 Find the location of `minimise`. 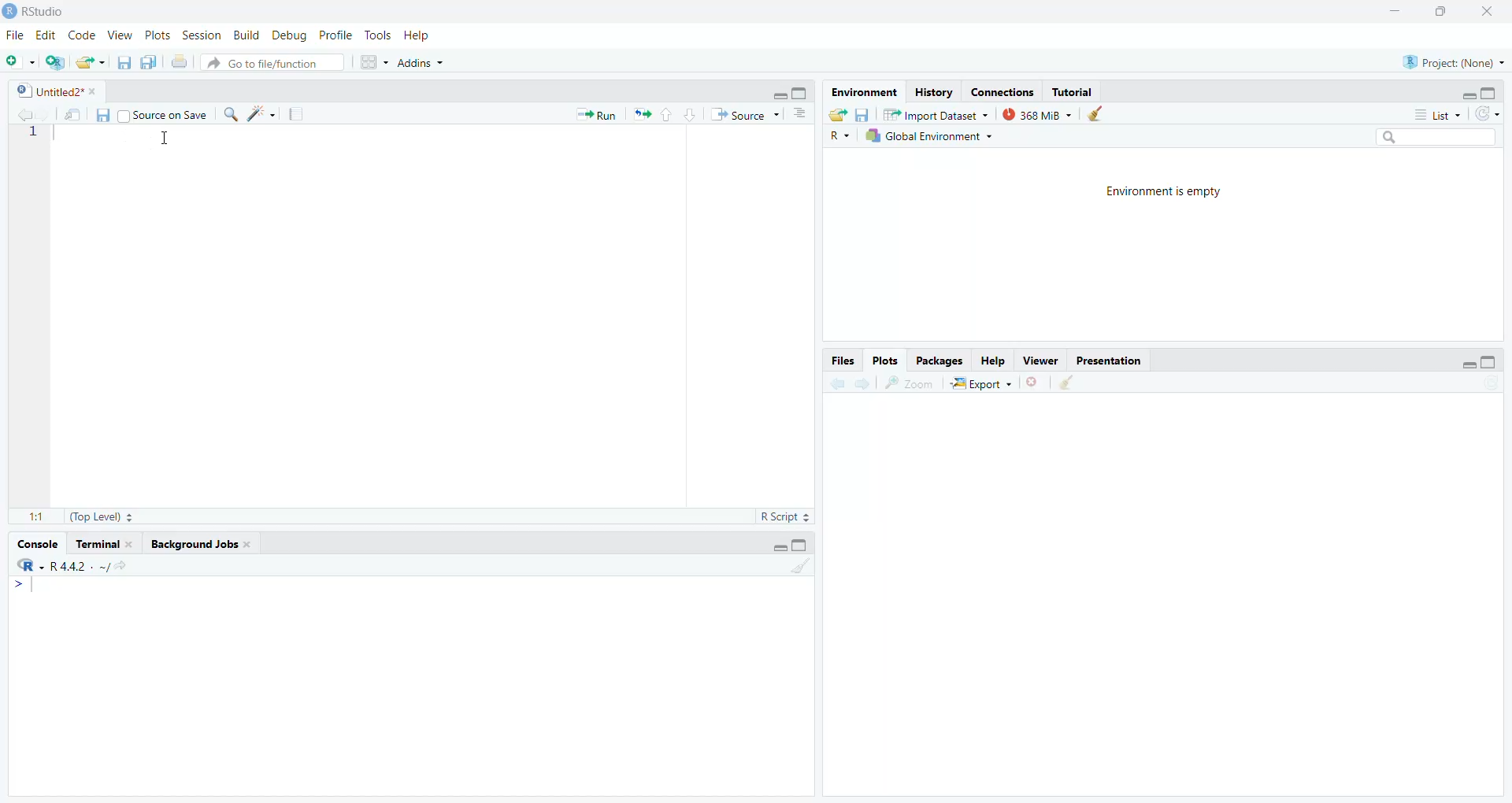

minimise is located at coordinates (1462, 95).